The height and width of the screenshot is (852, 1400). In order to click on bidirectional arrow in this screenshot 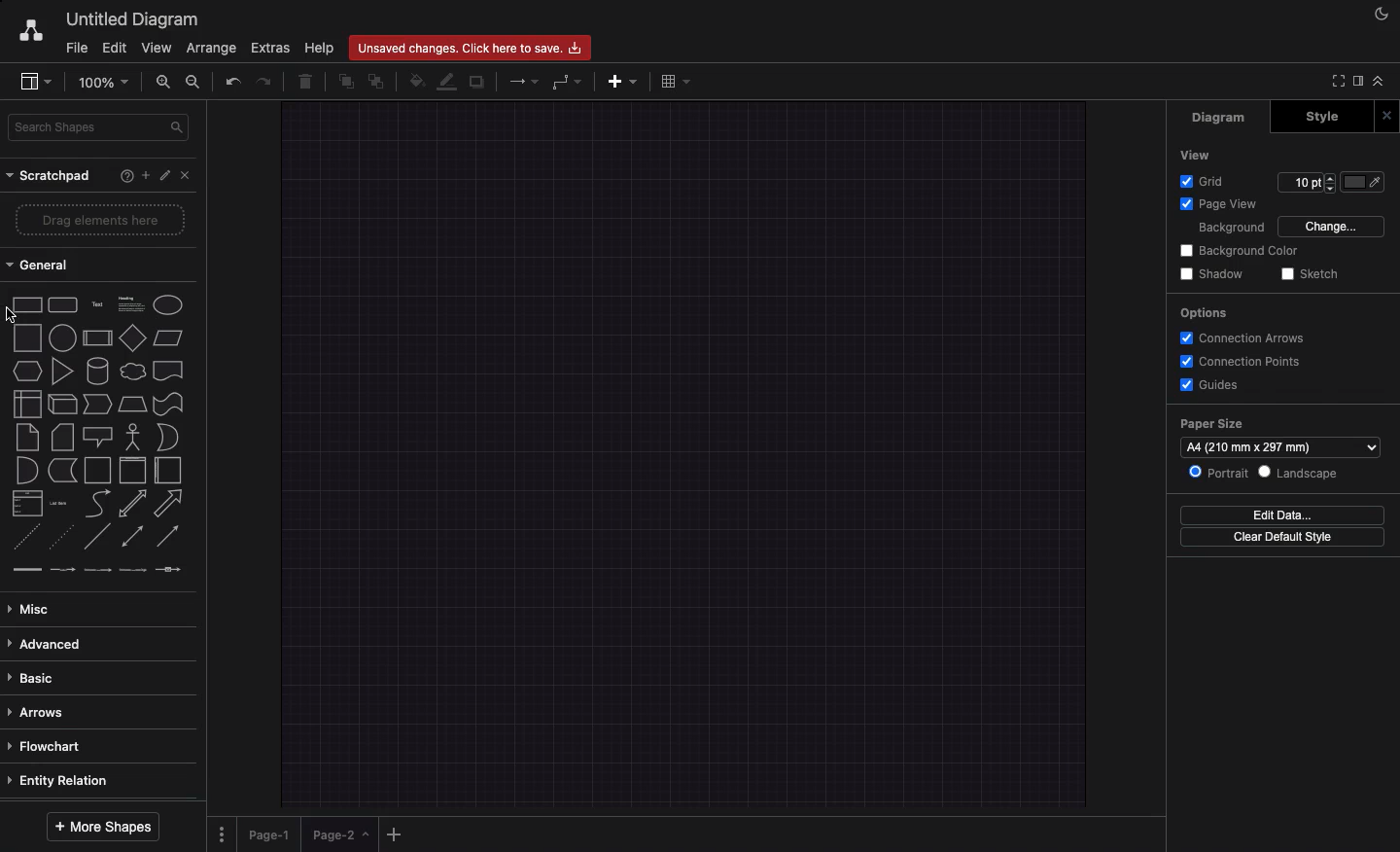, I will do `click(132, 503)`.